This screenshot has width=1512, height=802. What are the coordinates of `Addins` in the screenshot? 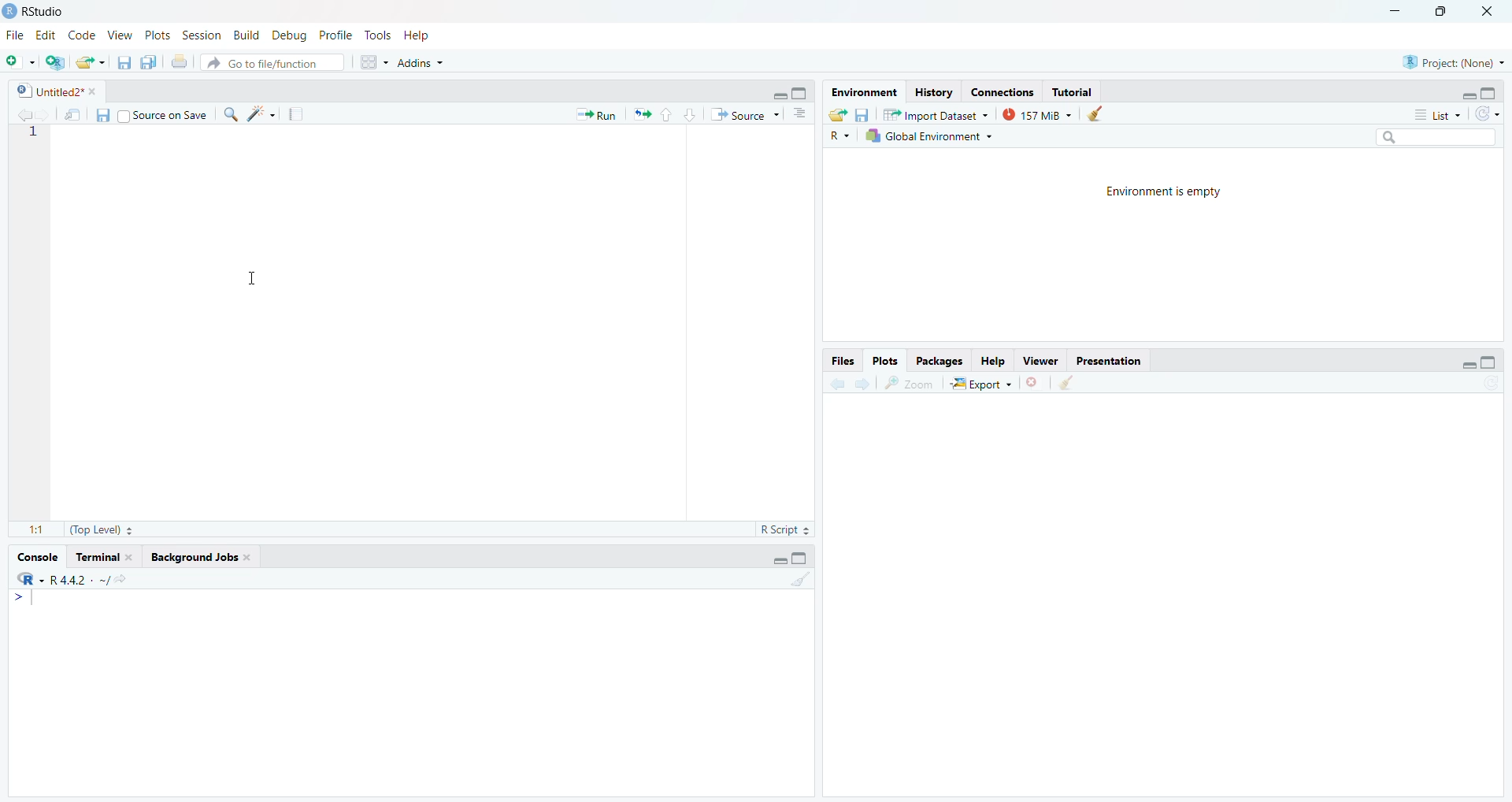 It's located at (417, 61).